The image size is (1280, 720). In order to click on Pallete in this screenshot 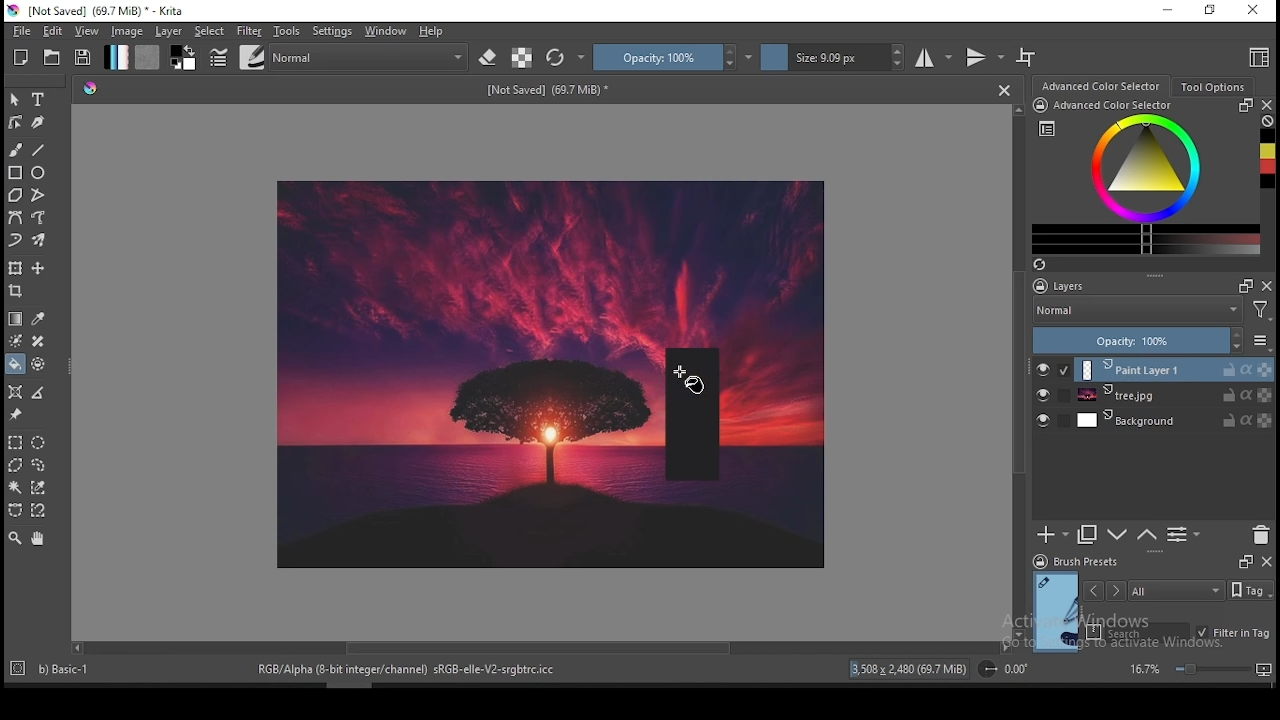, I will do `click(91, 90)`.